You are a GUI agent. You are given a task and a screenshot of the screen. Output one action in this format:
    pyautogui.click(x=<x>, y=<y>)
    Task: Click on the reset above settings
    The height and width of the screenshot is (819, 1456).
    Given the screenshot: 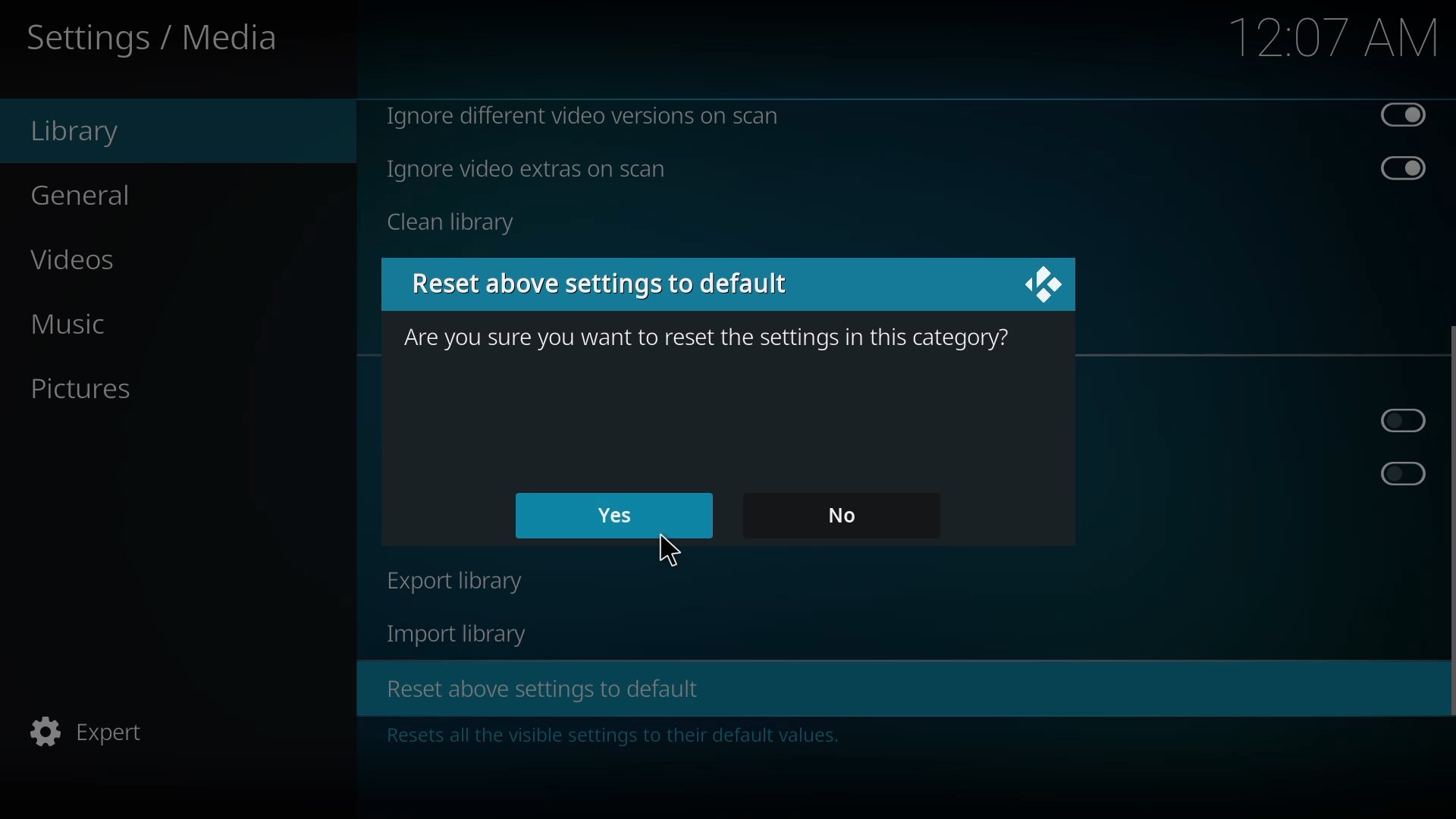 What is the action you would take?
    pyautogui.click(x=538, y=687)
    